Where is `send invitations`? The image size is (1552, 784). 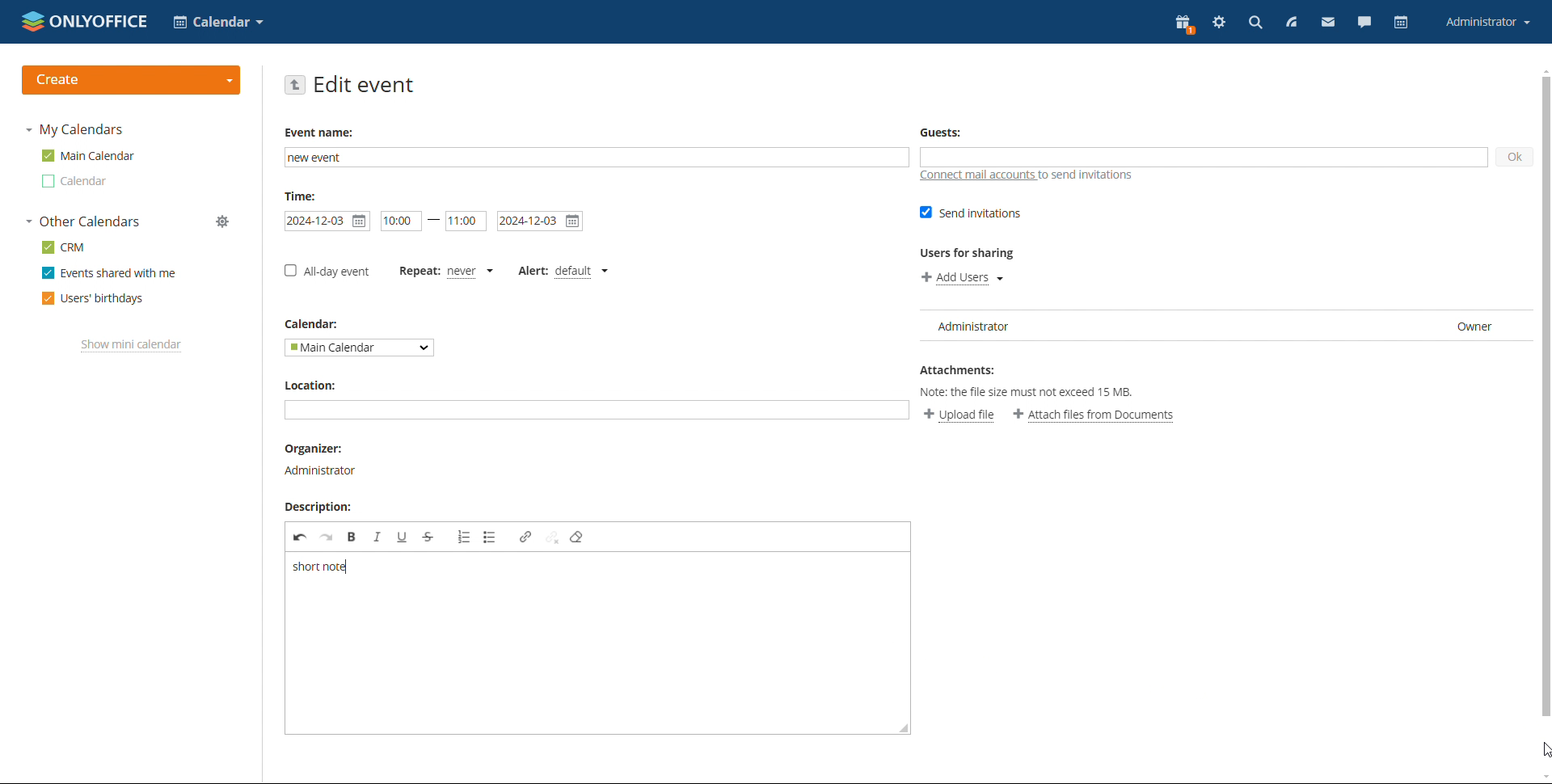
send invitations is located at coordinates (972, 213).